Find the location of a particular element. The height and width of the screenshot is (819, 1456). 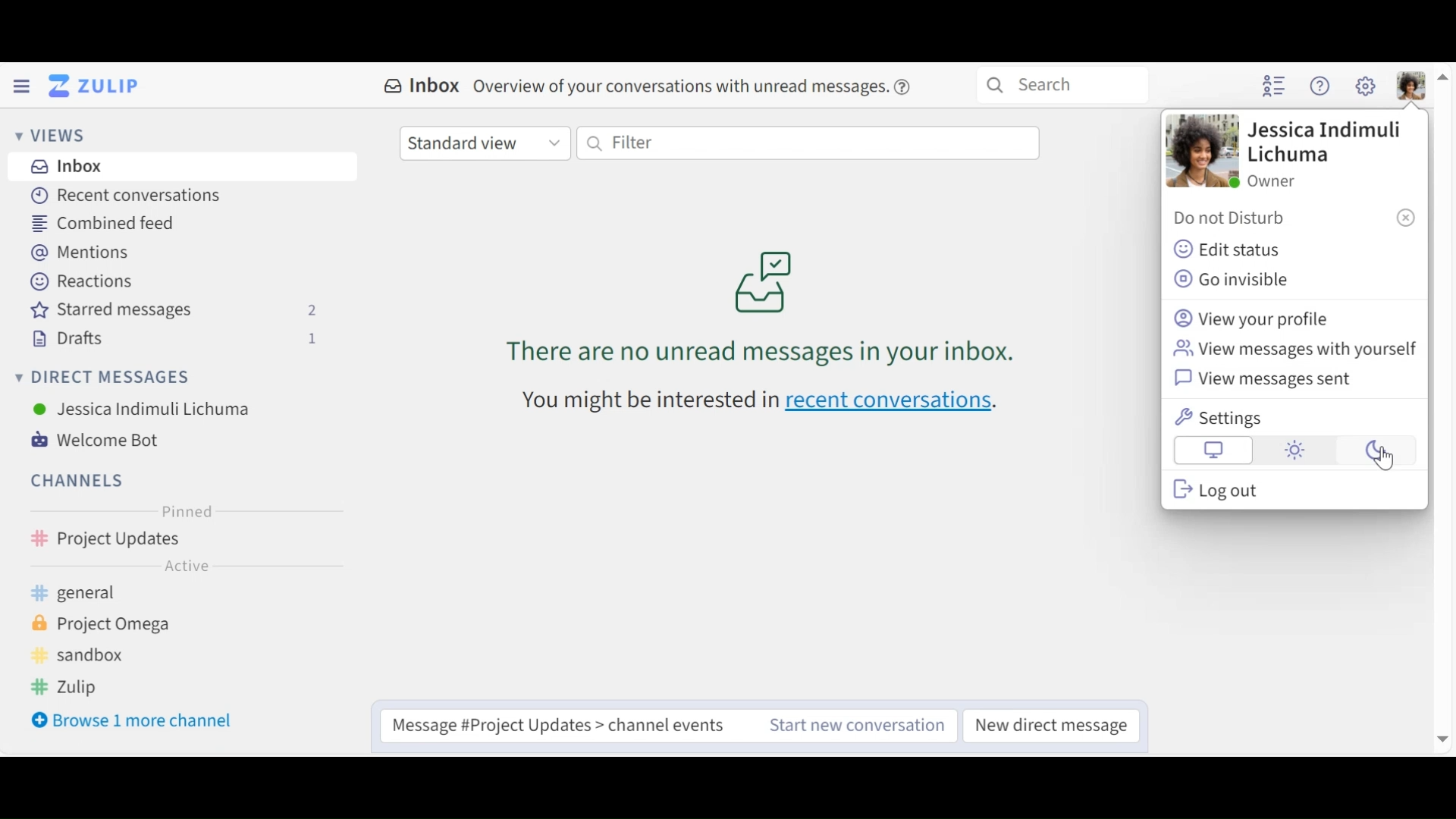

Owner is located at coordinates (1272, 180).